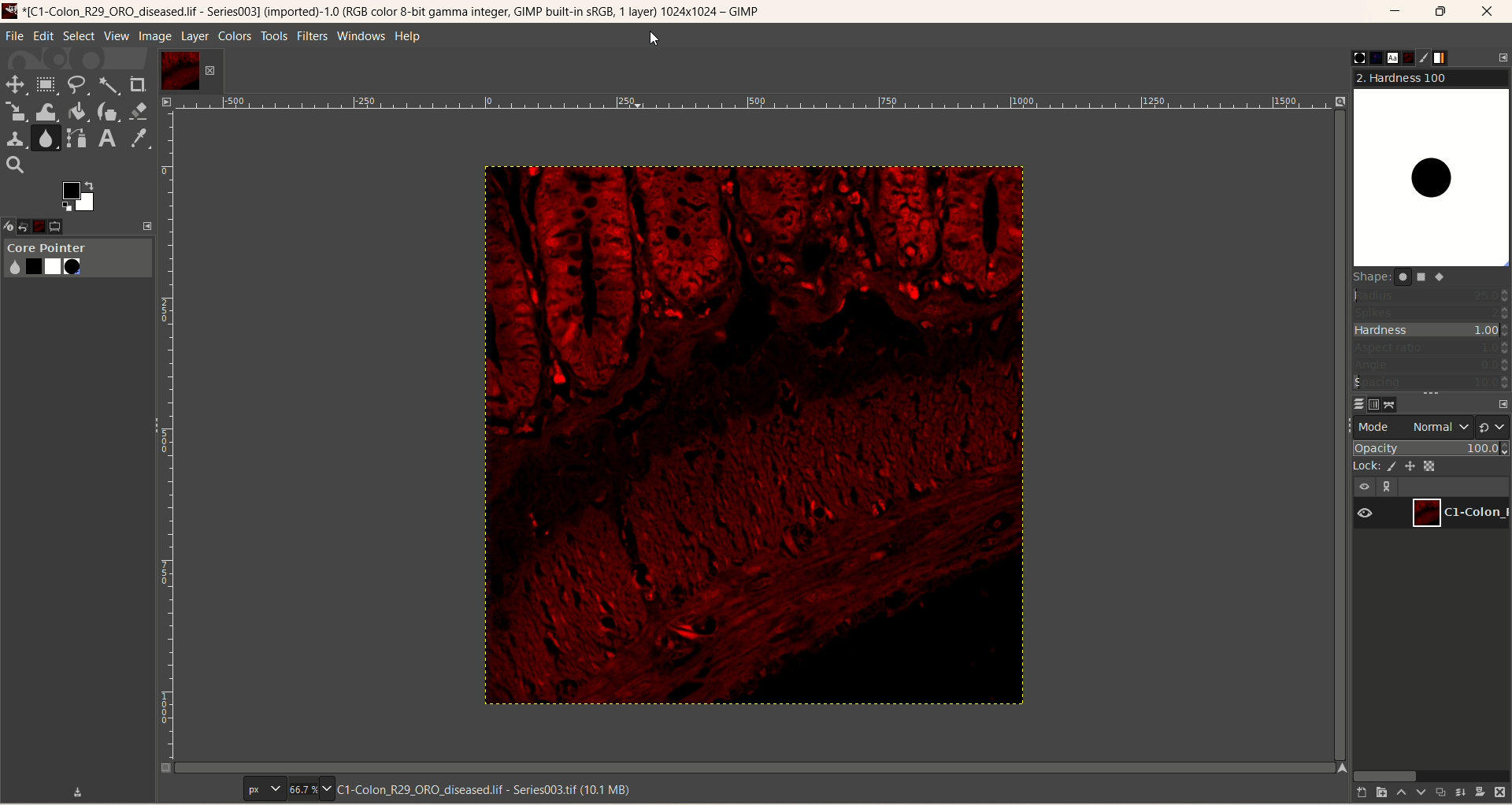 This screenshot has height=805, width=1512. I want to click on configure this tab, so click(1502, 404).